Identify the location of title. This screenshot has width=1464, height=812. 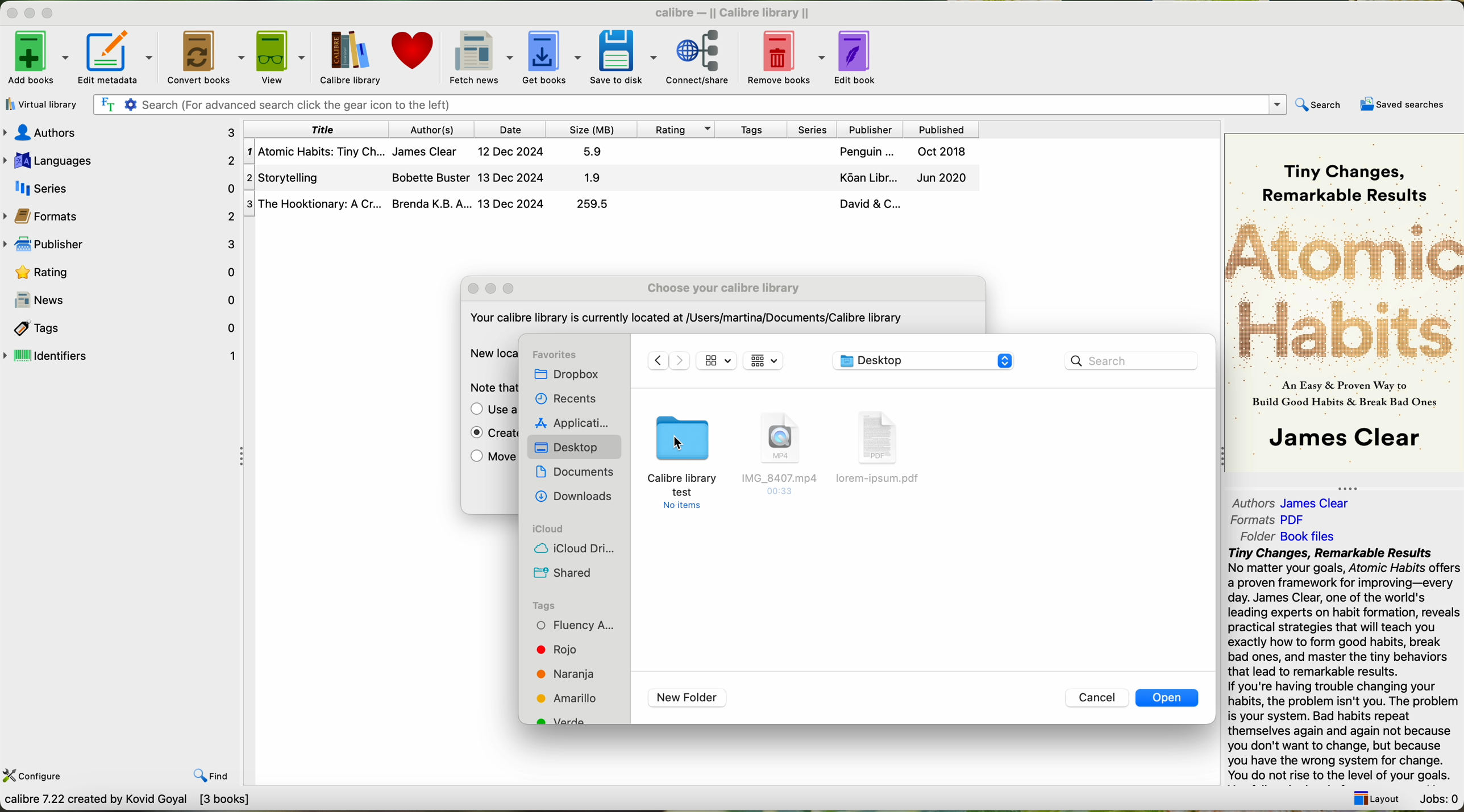
(318, 129).